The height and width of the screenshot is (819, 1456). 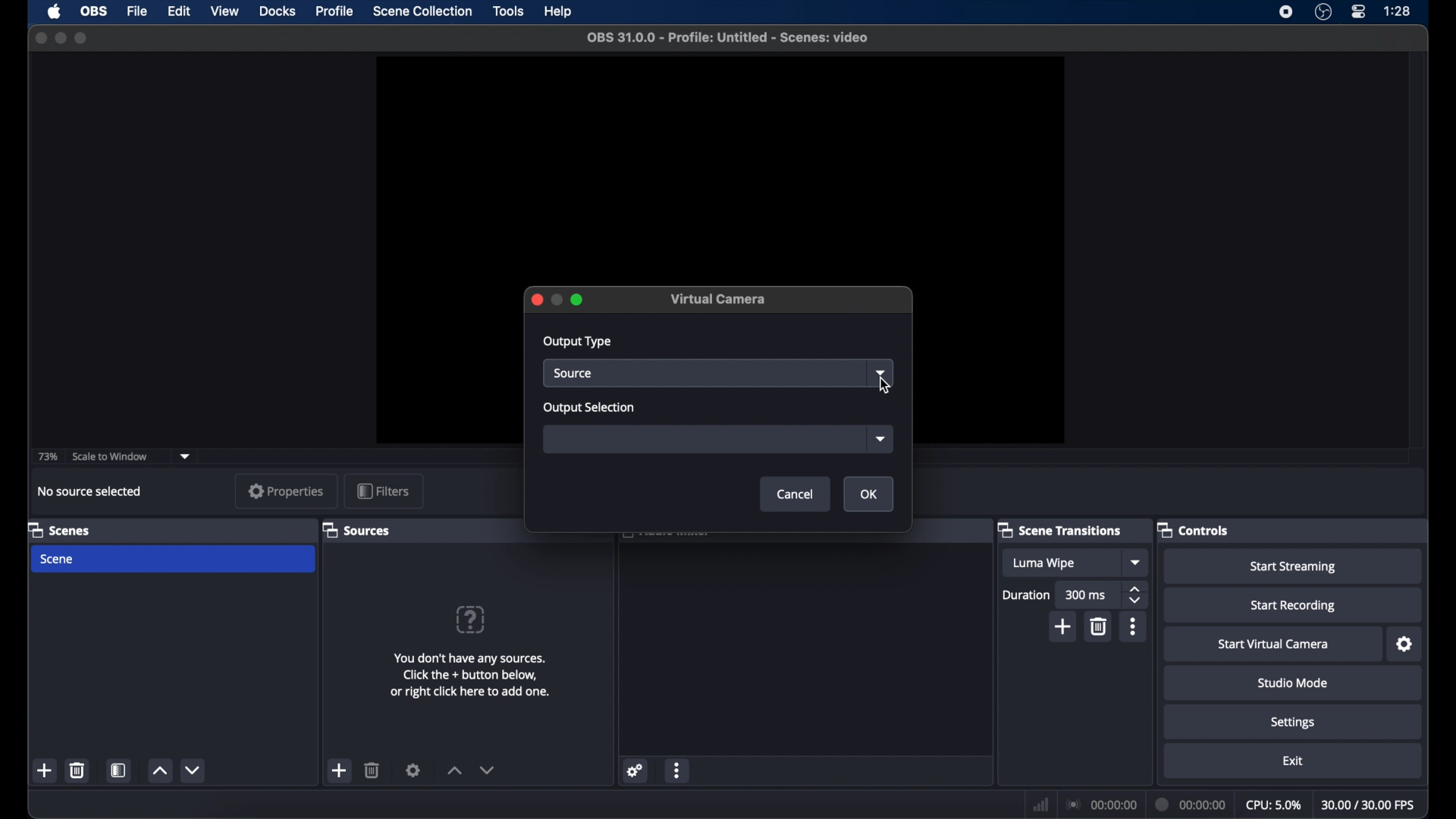 I want to click on screen recorder icon, so click(x=1287, y=12).